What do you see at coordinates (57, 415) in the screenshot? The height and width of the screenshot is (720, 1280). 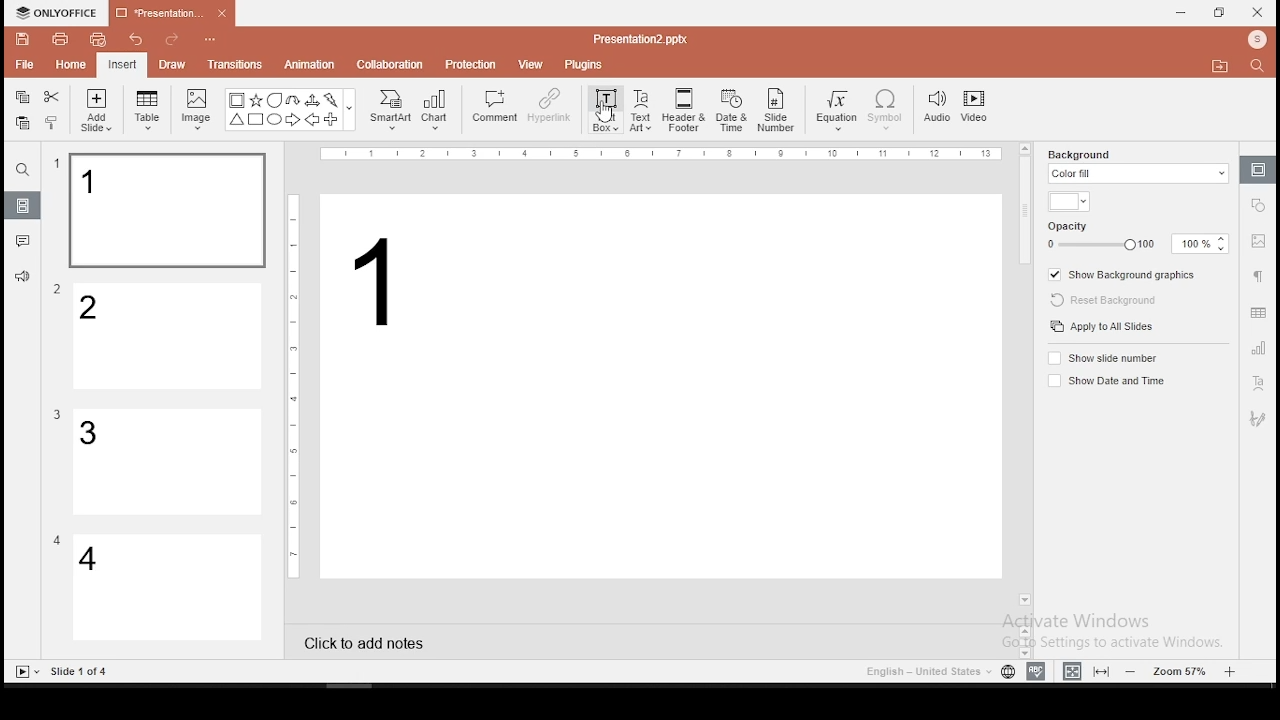 I see `` at bounding box center [57, 415].